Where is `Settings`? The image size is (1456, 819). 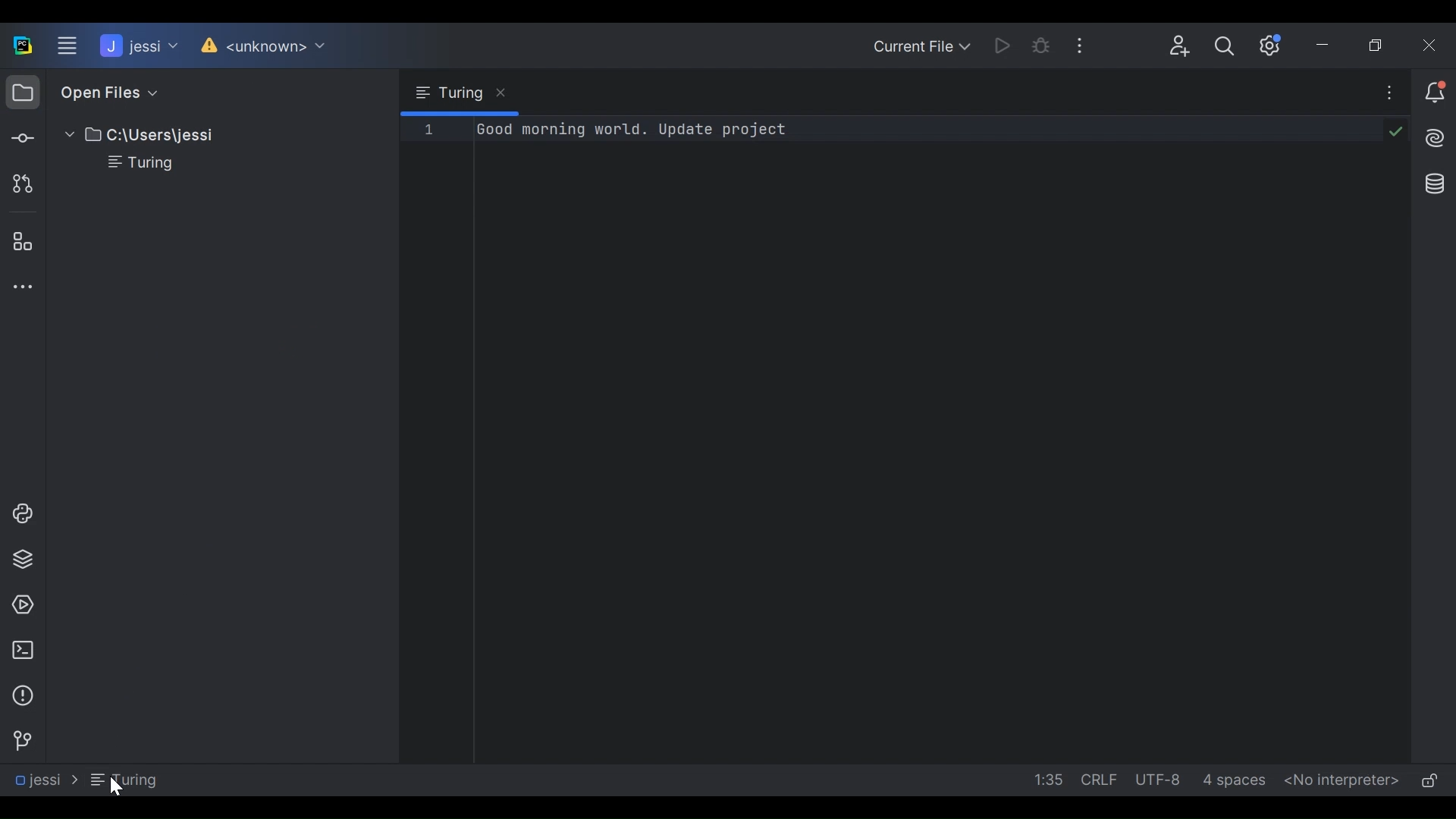 Settings is located at coordinates (1275, 45).